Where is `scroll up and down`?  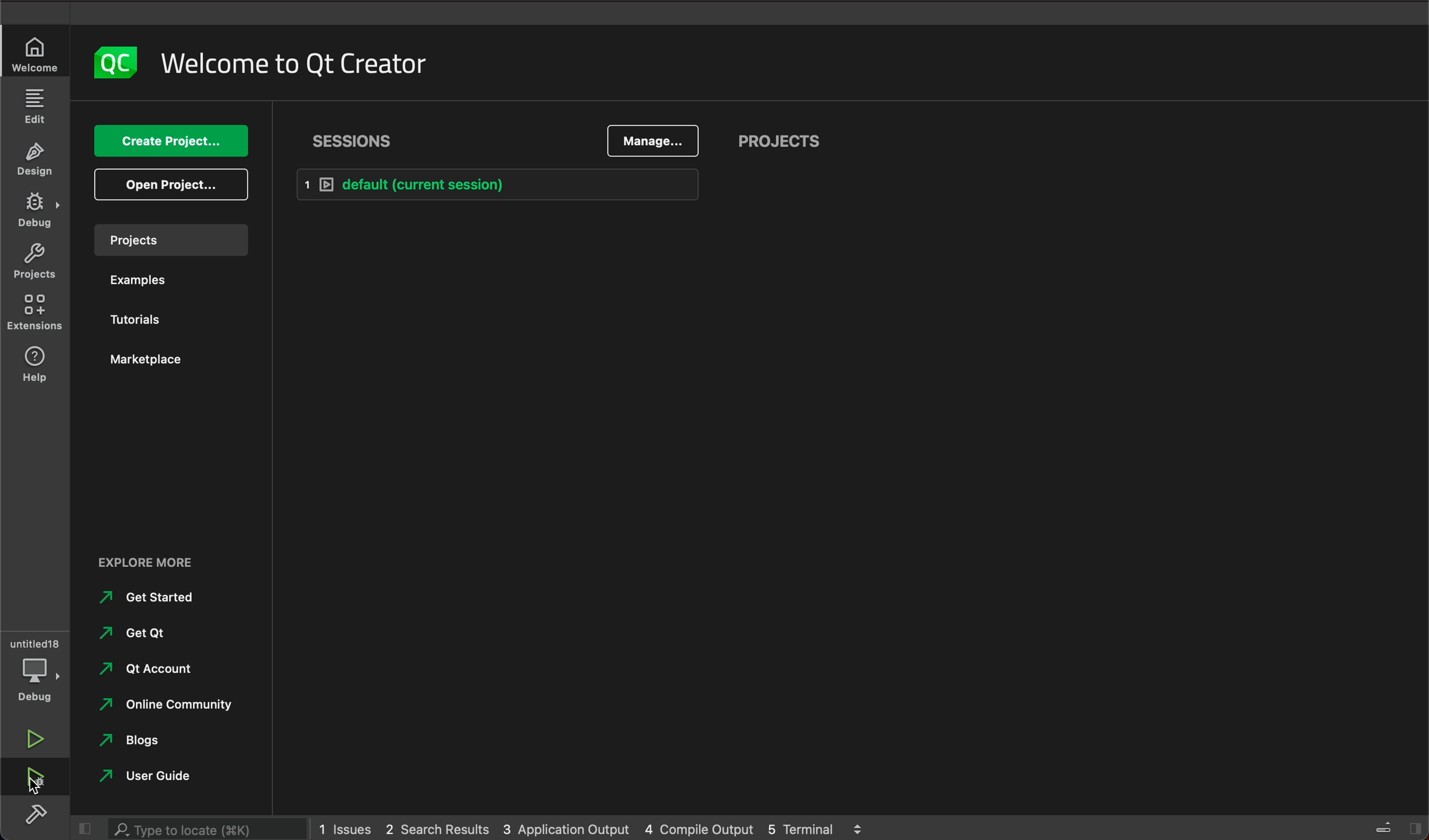
scroll up and down is located at coordinates (861, 829).